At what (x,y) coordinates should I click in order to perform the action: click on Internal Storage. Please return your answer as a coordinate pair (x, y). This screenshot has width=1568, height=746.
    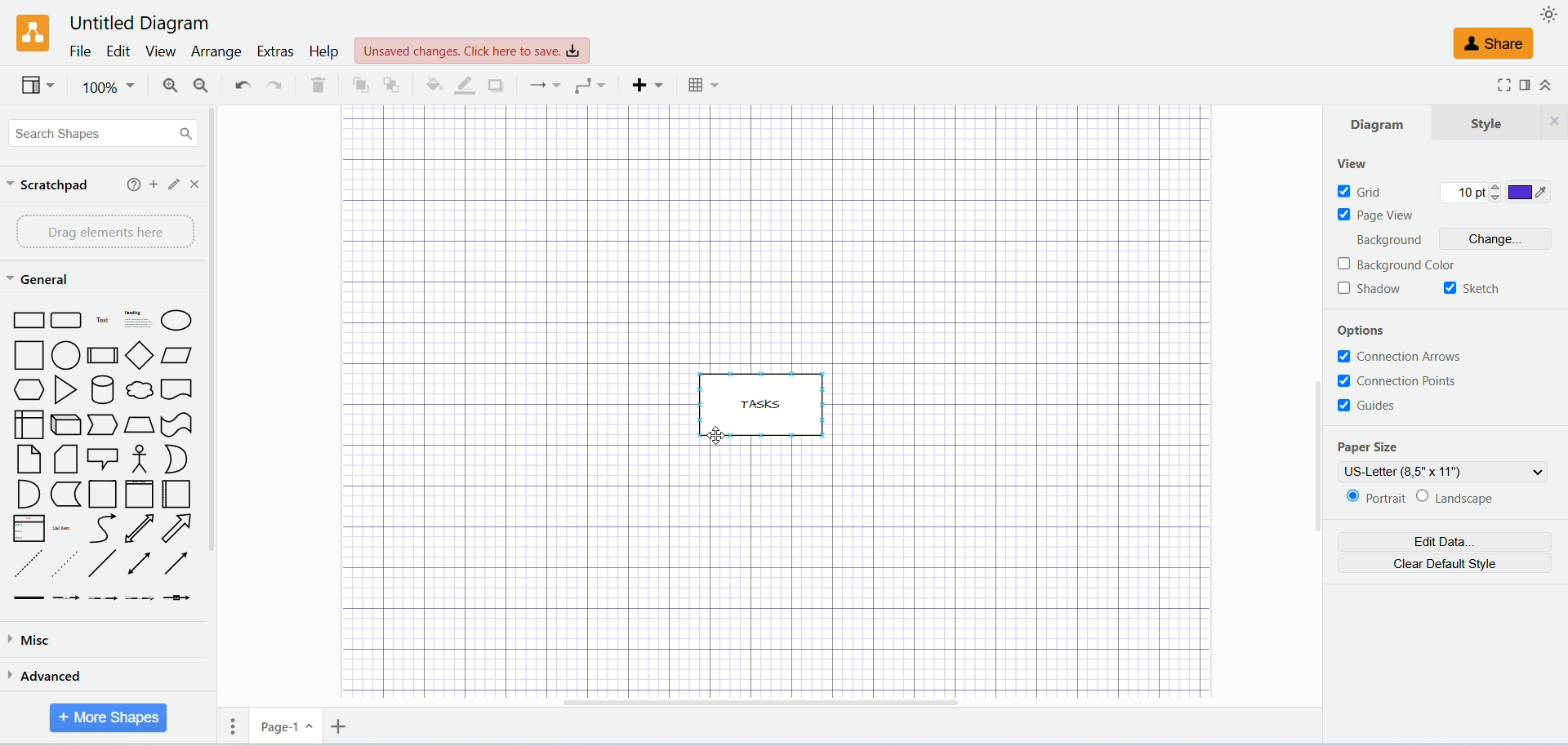
    Looking at the image, I should click on (28, 424).